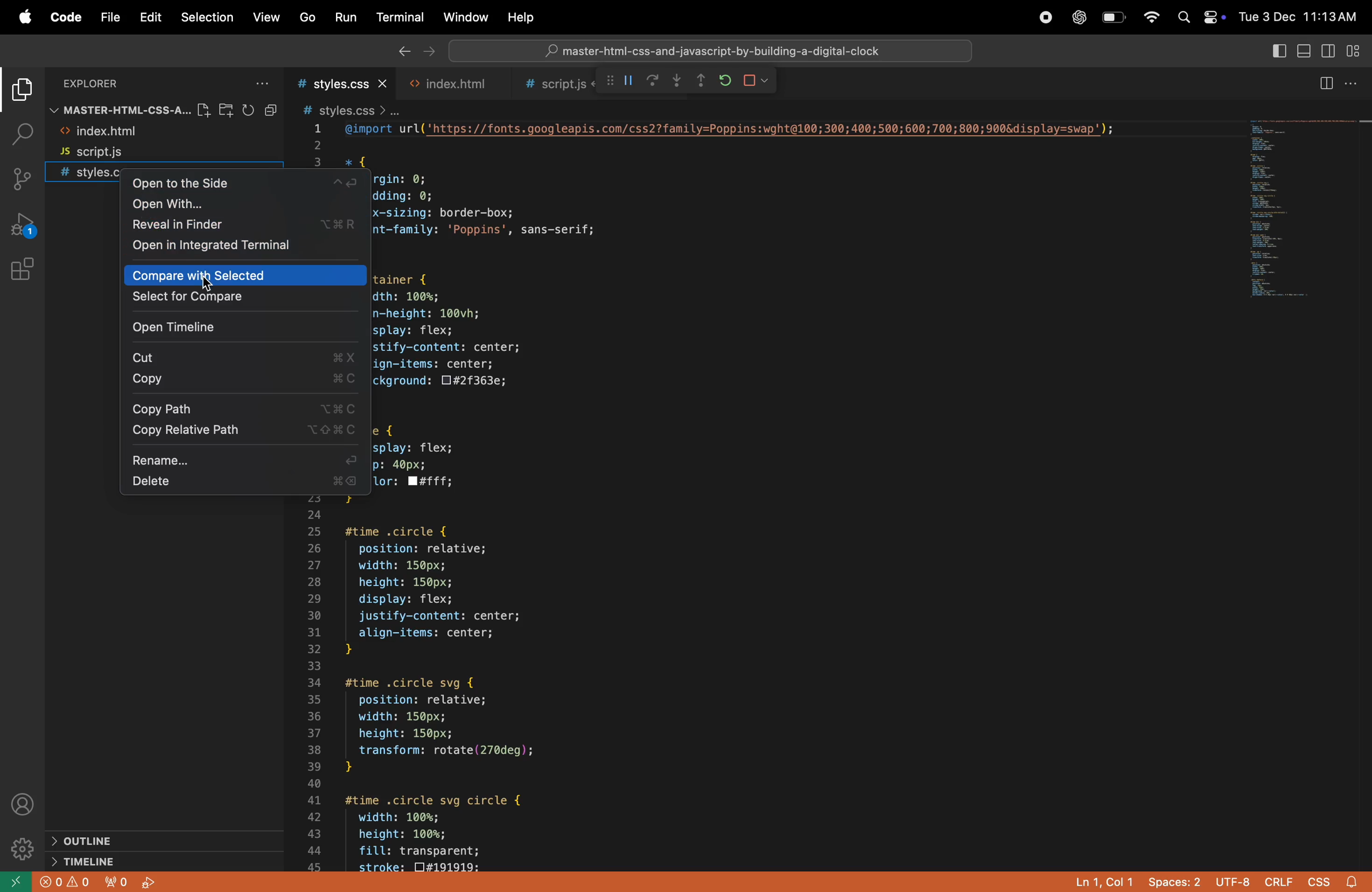 The width and height of the screenshot is (1372, 892). I want to click on open time line, so click(241, 326).